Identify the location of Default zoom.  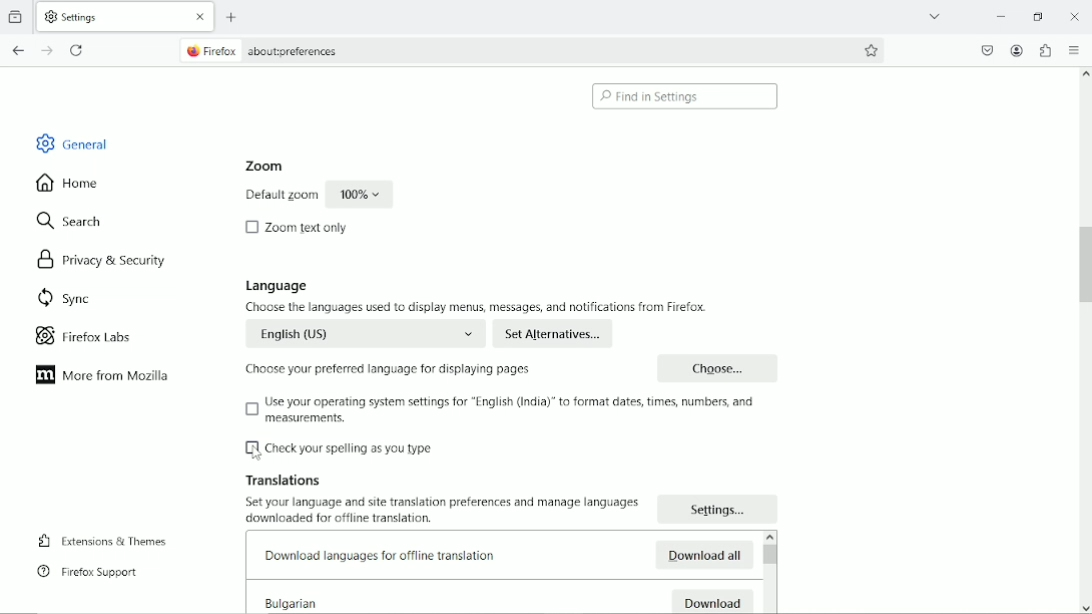
(279, 196).